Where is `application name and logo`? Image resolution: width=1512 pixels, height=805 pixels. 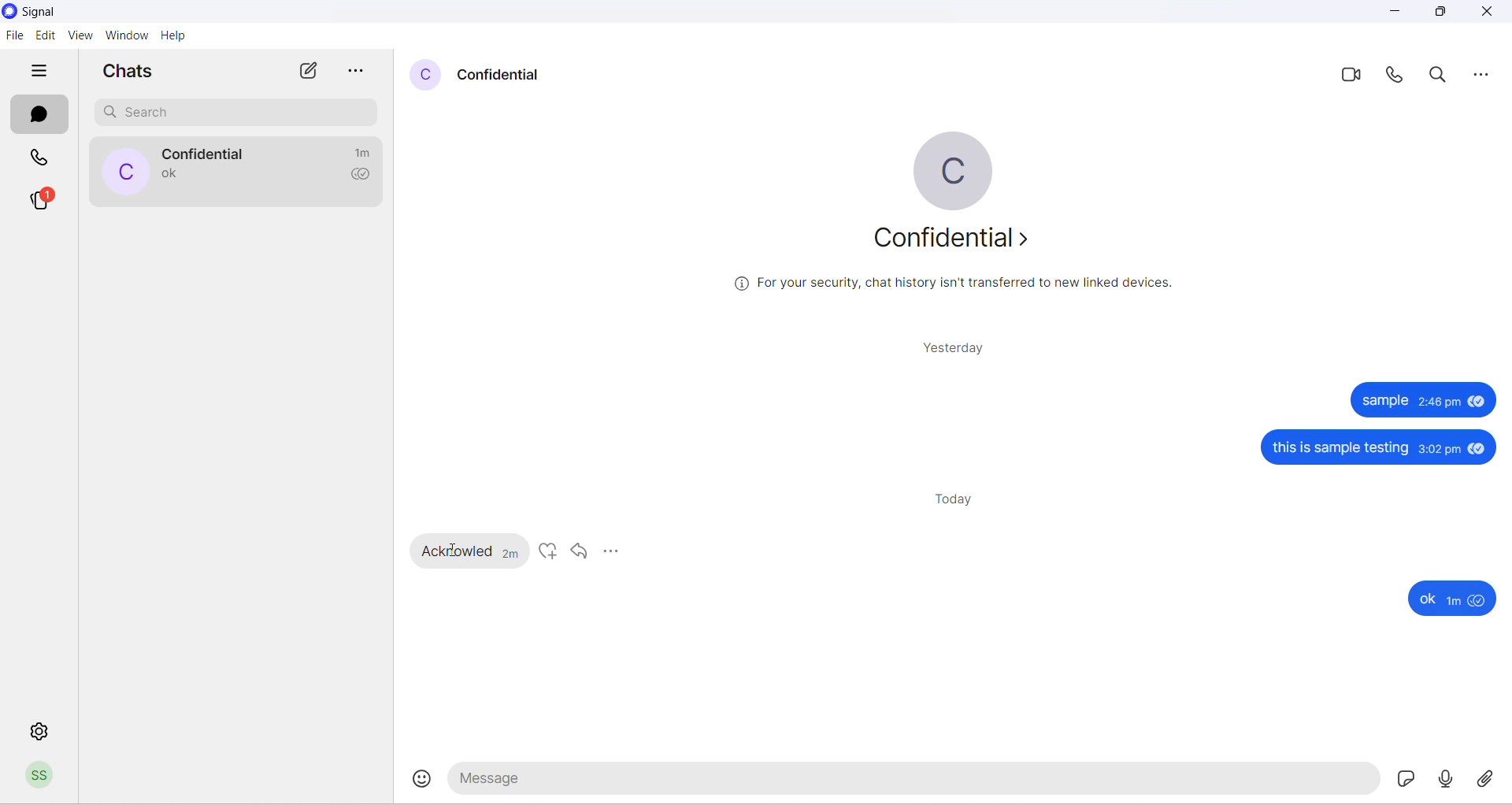
application name and logo is located at coordinates (97, 12).